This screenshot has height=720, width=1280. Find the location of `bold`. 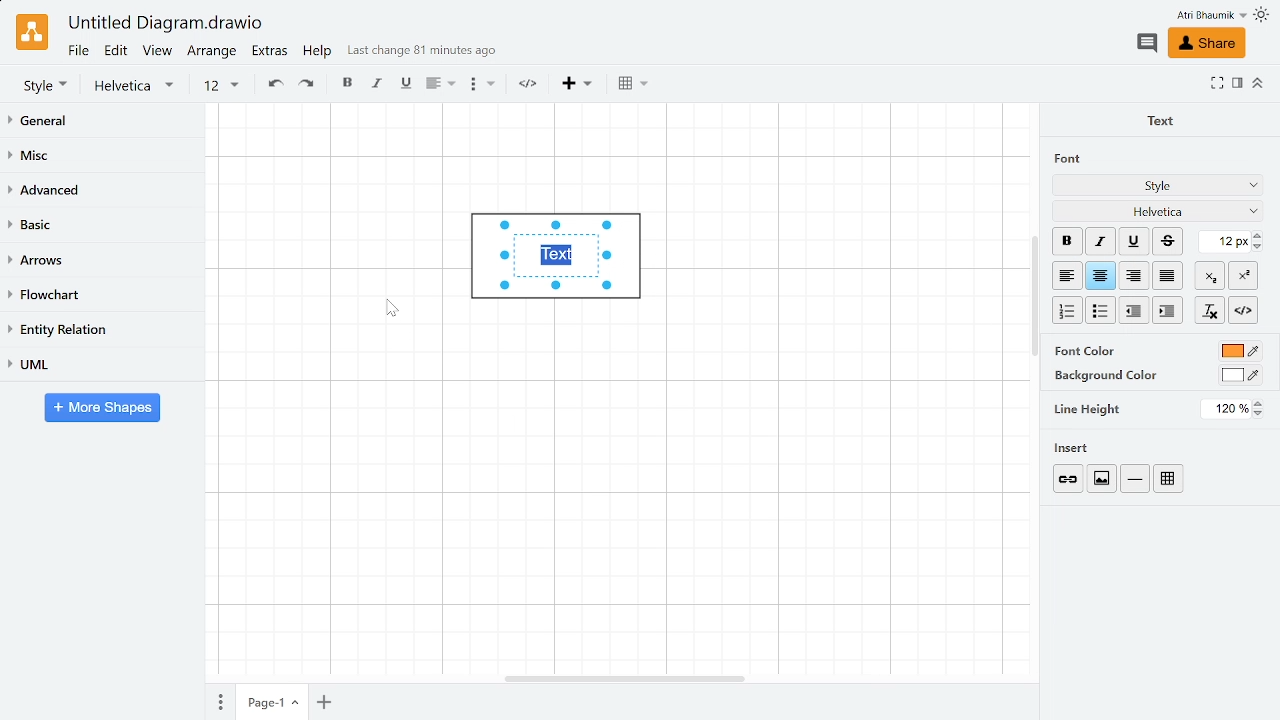

bold is located at coordinates (349, 85).